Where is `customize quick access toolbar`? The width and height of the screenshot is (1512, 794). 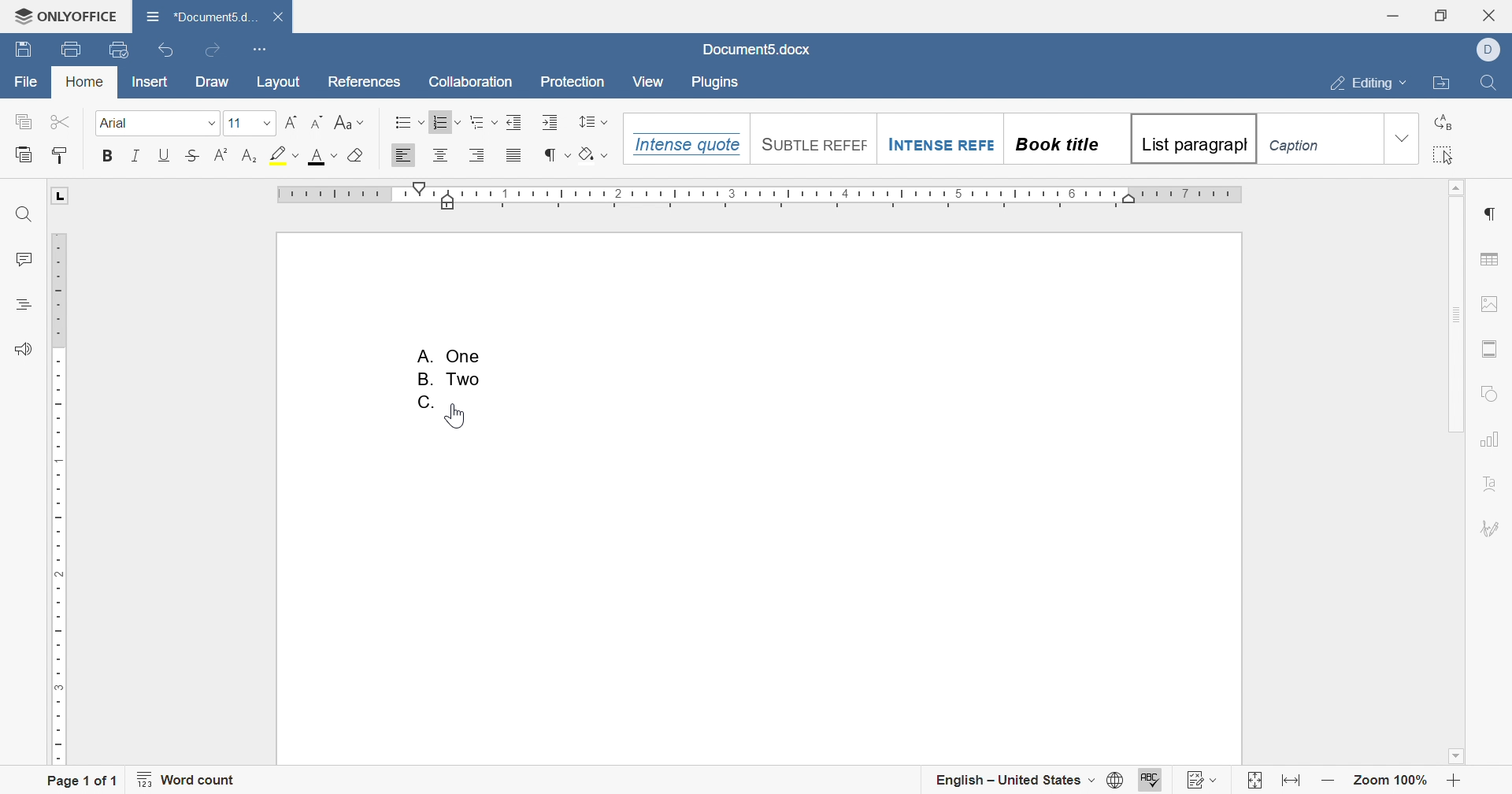 customize quick access toolbar is located at coordinates (263, 50).